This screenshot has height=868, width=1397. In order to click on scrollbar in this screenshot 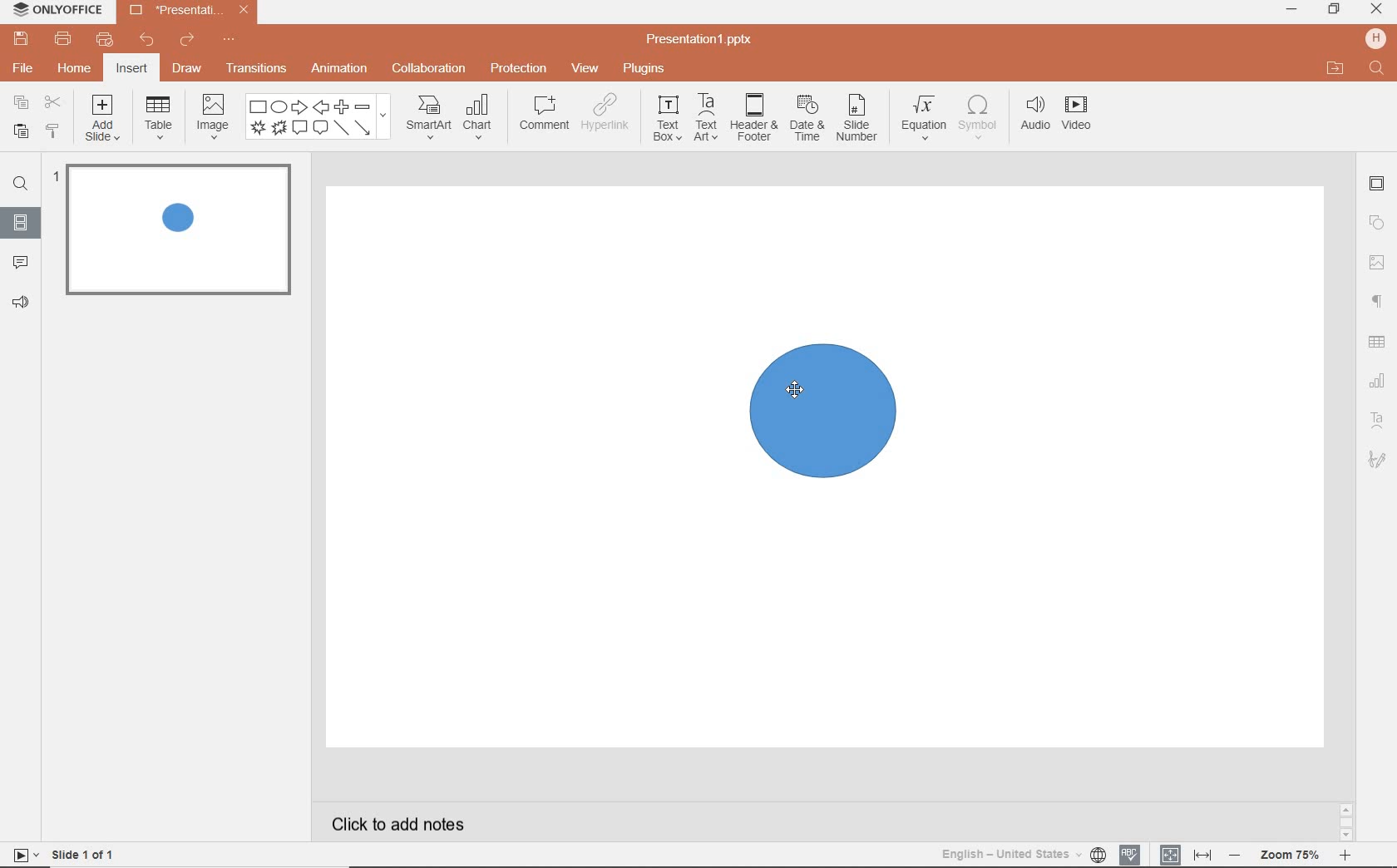, I will do `click(1346, 817)`.